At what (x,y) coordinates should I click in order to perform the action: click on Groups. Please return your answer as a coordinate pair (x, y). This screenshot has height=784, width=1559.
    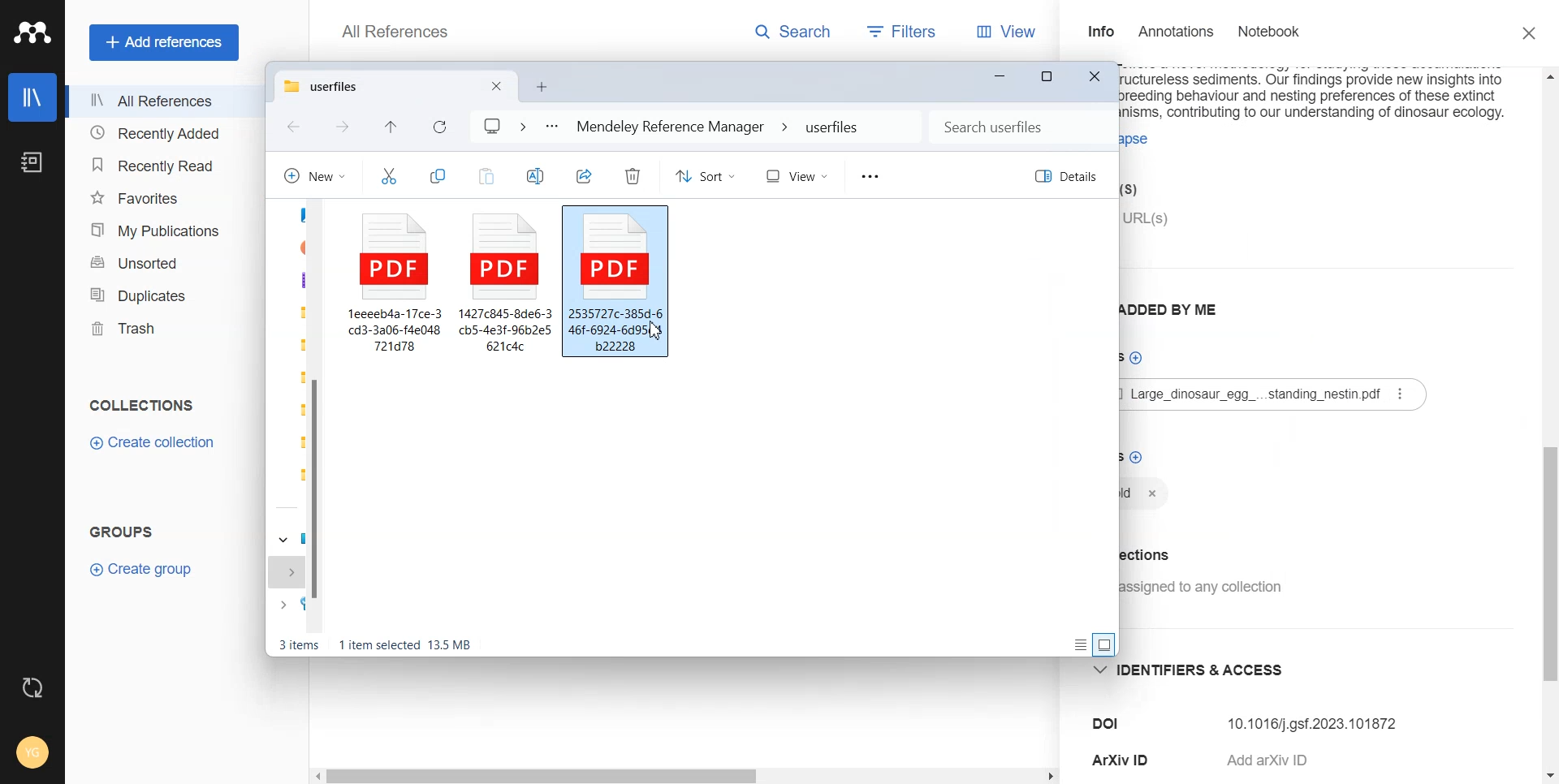
    Looking at the image, I should click on (120, 531).